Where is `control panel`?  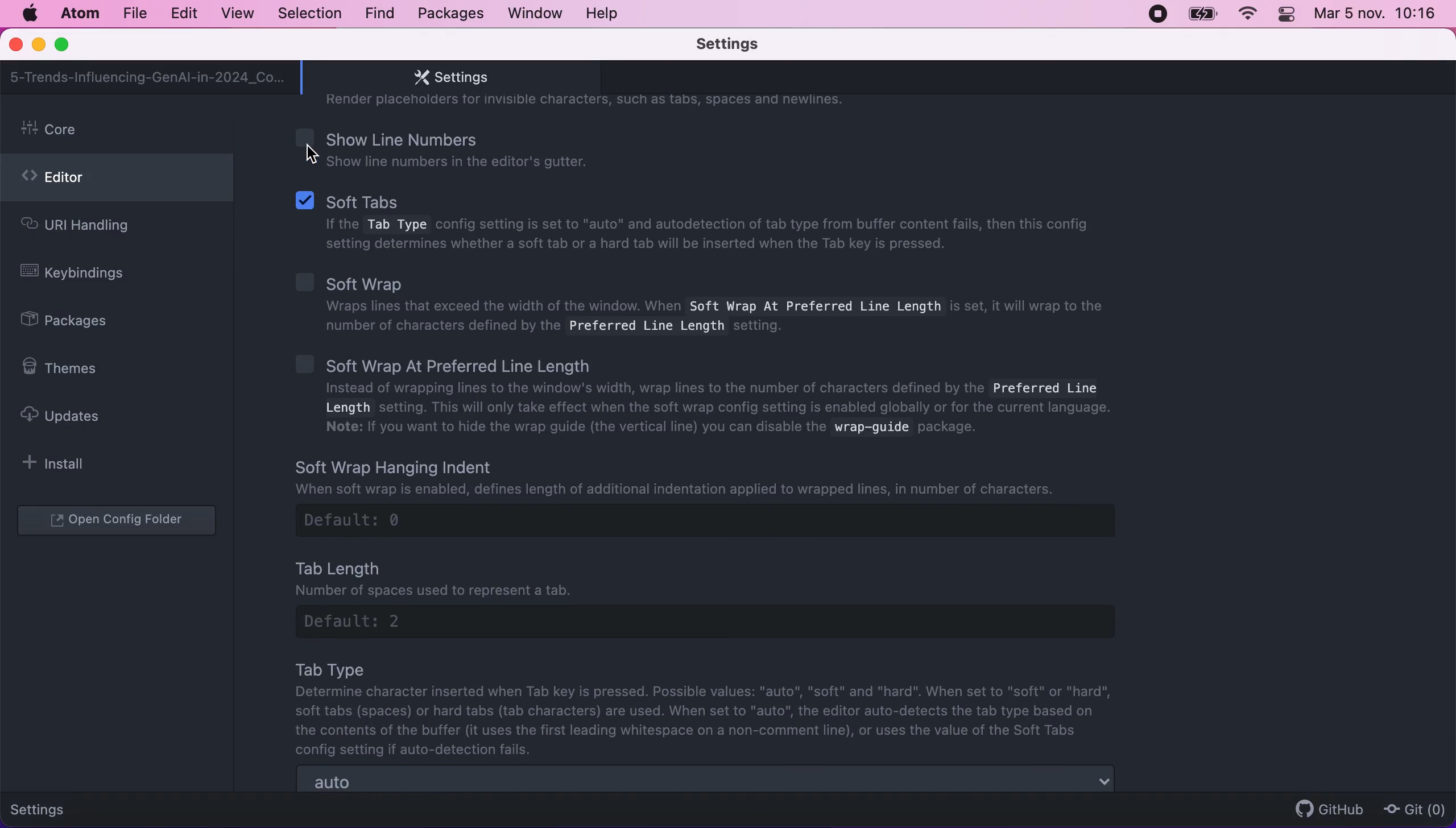
control panel is located at coordinates (1288, 16).